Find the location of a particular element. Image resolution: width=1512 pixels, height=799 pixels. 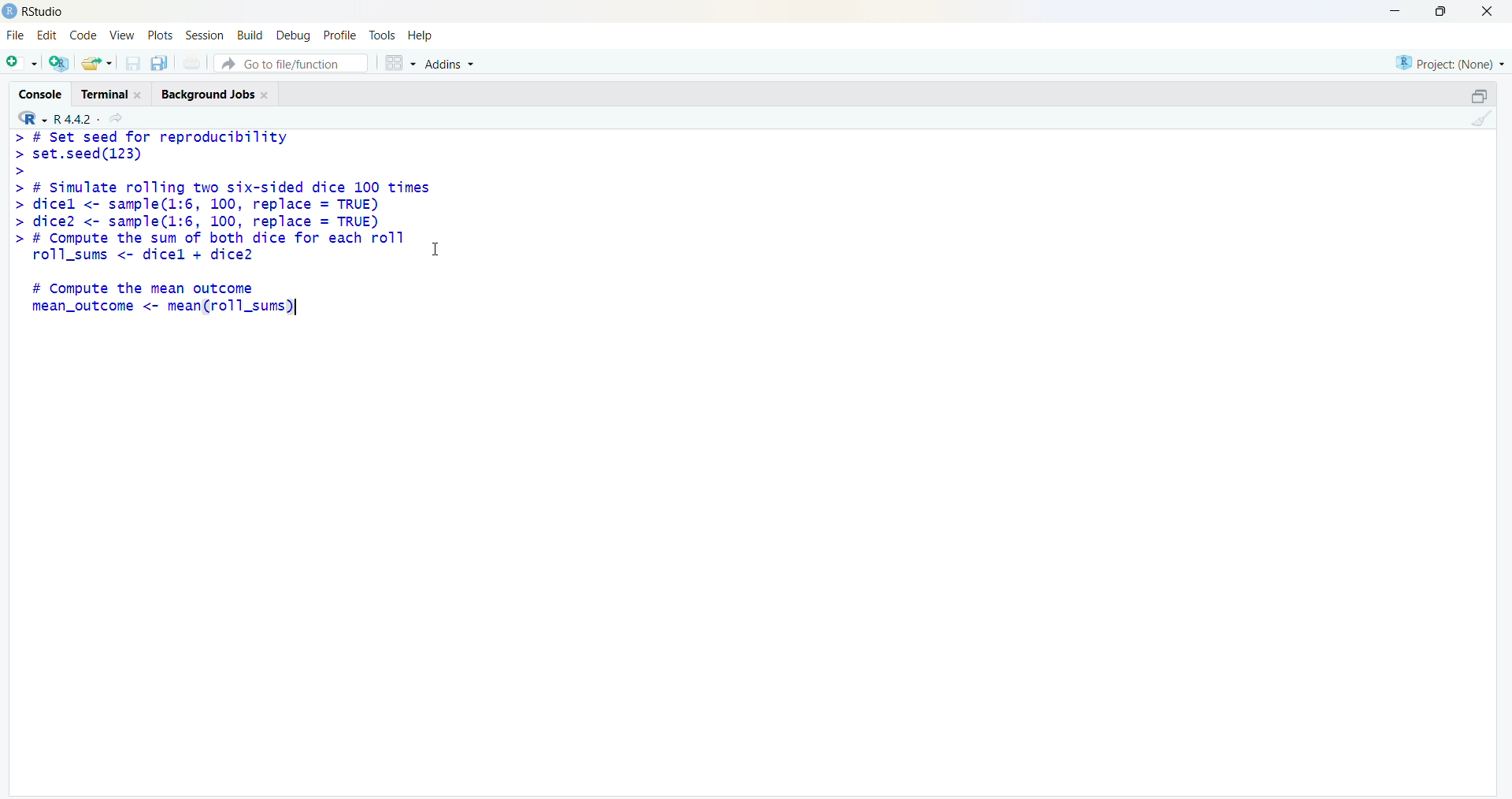

build is located at coordinates (249, 36).